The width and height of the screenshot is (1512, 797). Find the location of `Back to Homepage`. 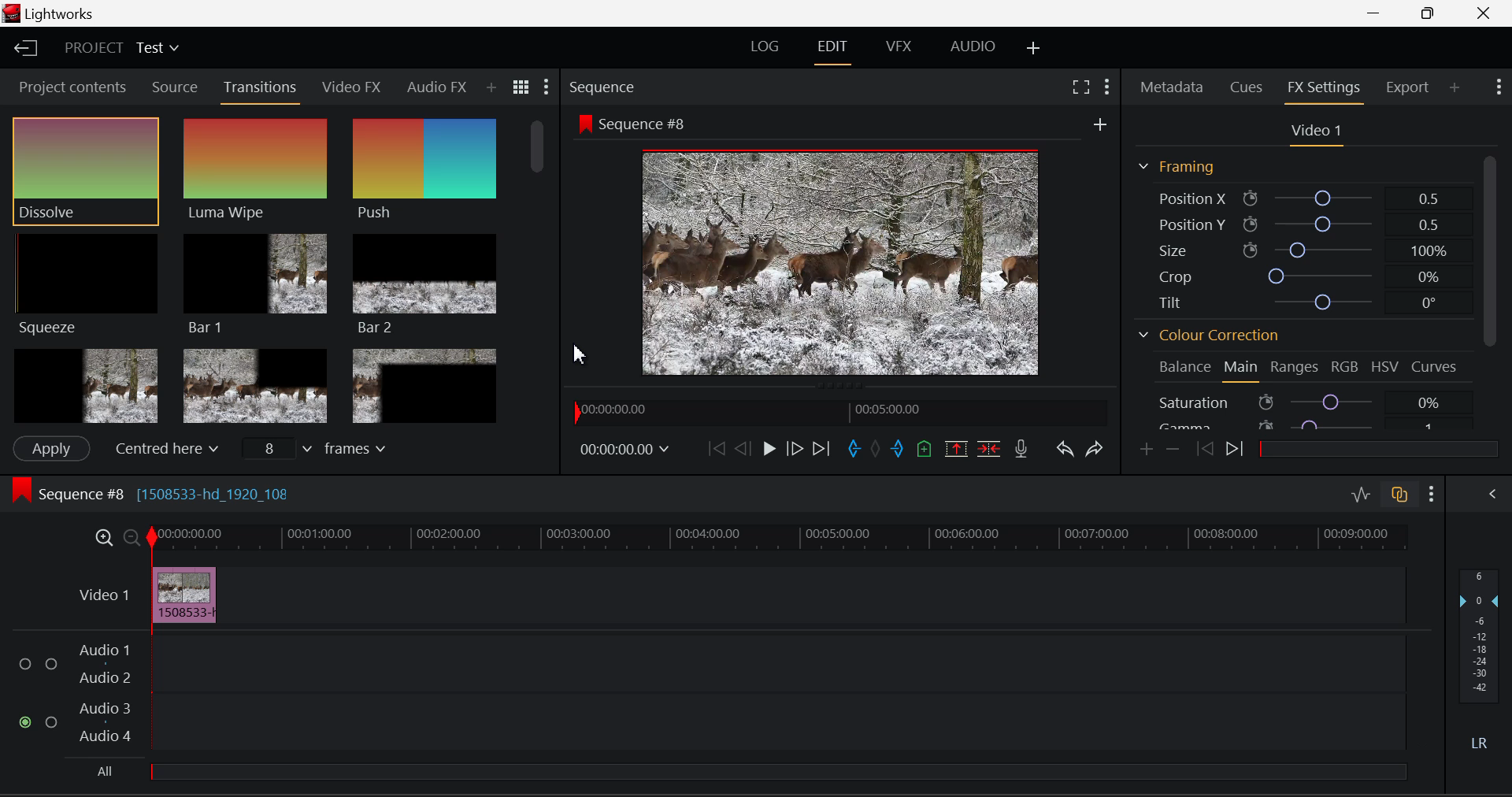

Back to Homepage is located at coordinates (30, 50).